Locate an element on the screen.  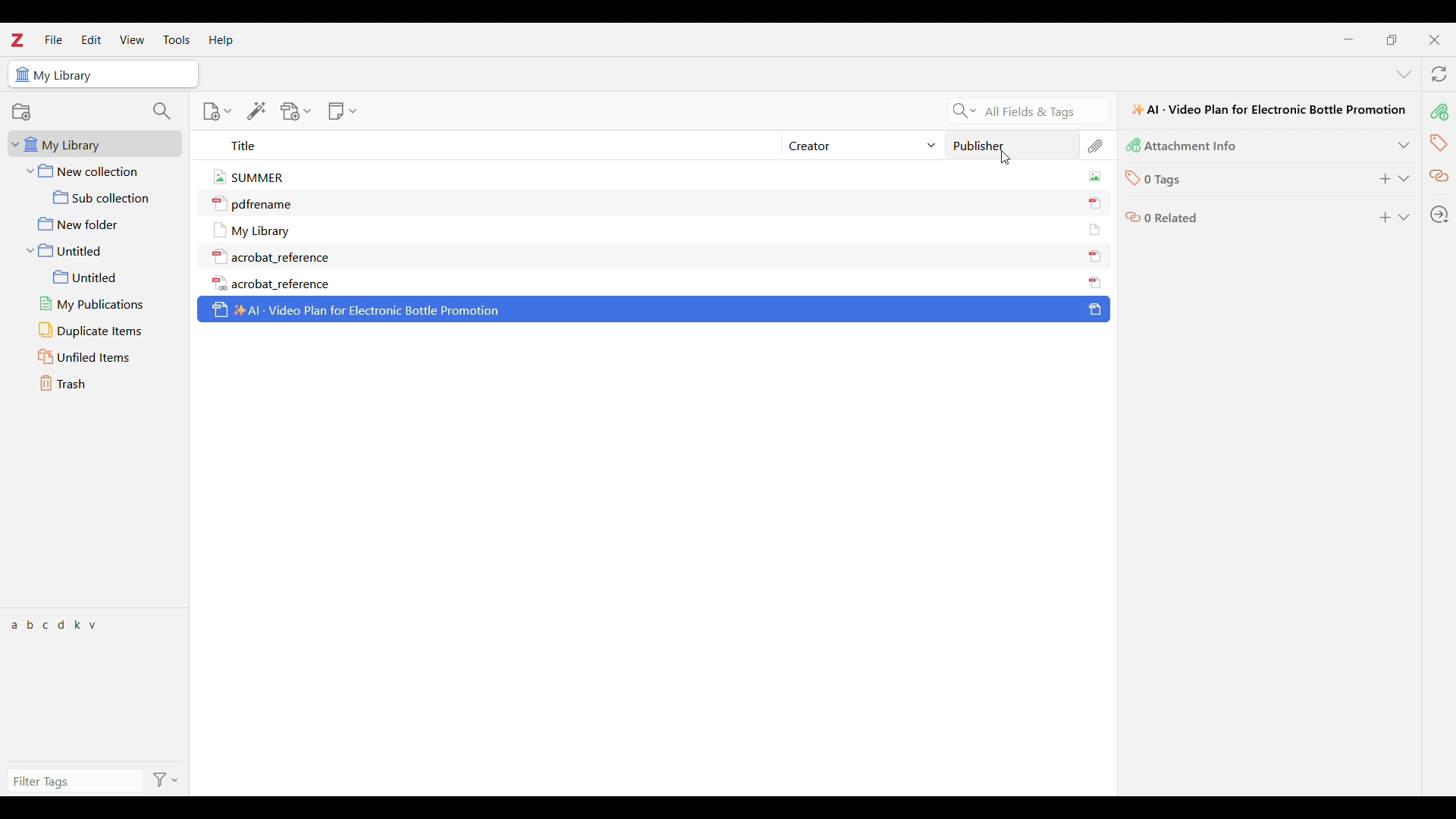
Tools menu is located at coordinates (176, 39).